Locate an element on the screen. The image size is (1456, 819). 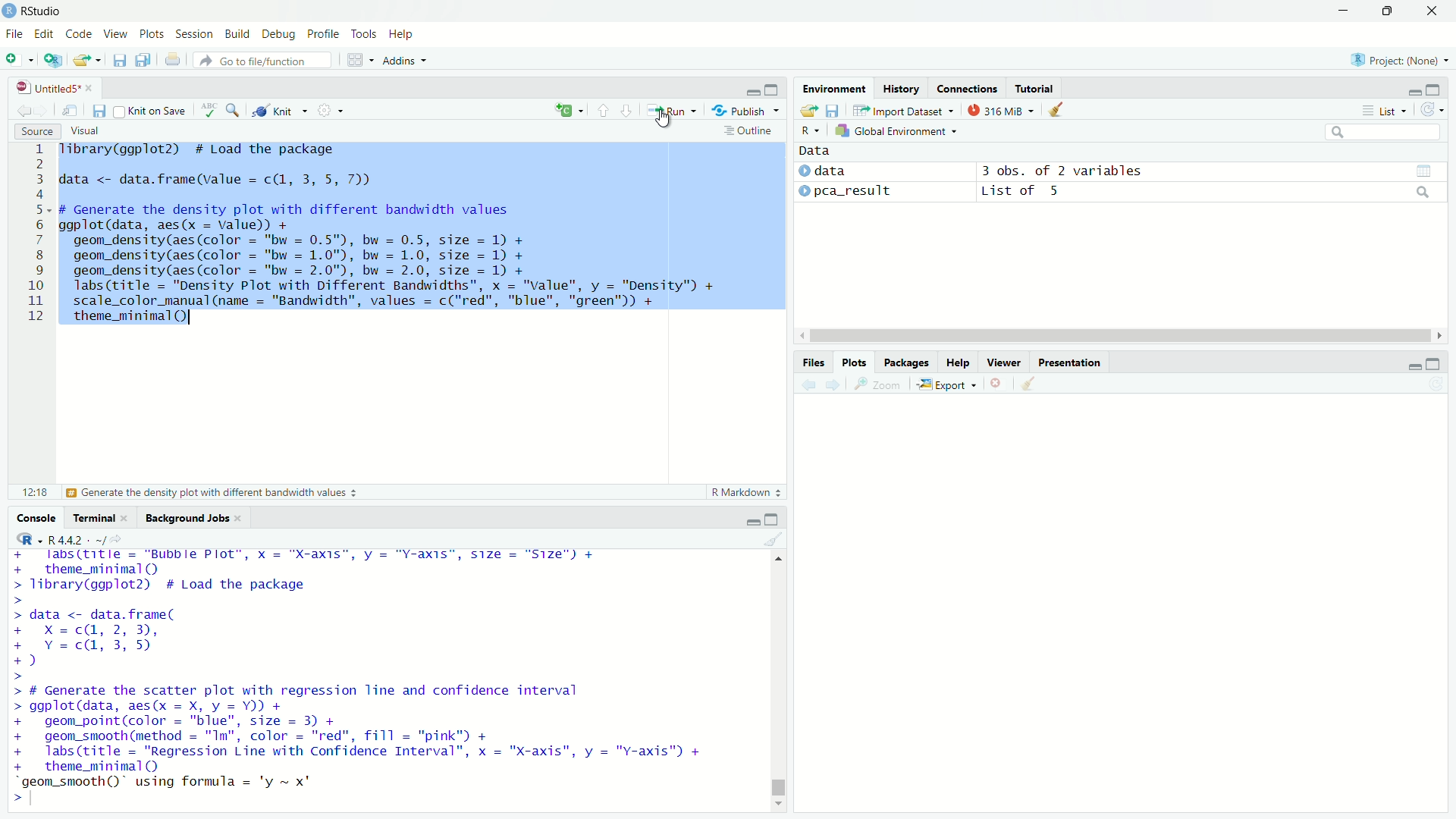
Load workspace is located at coordinates (808, 110).